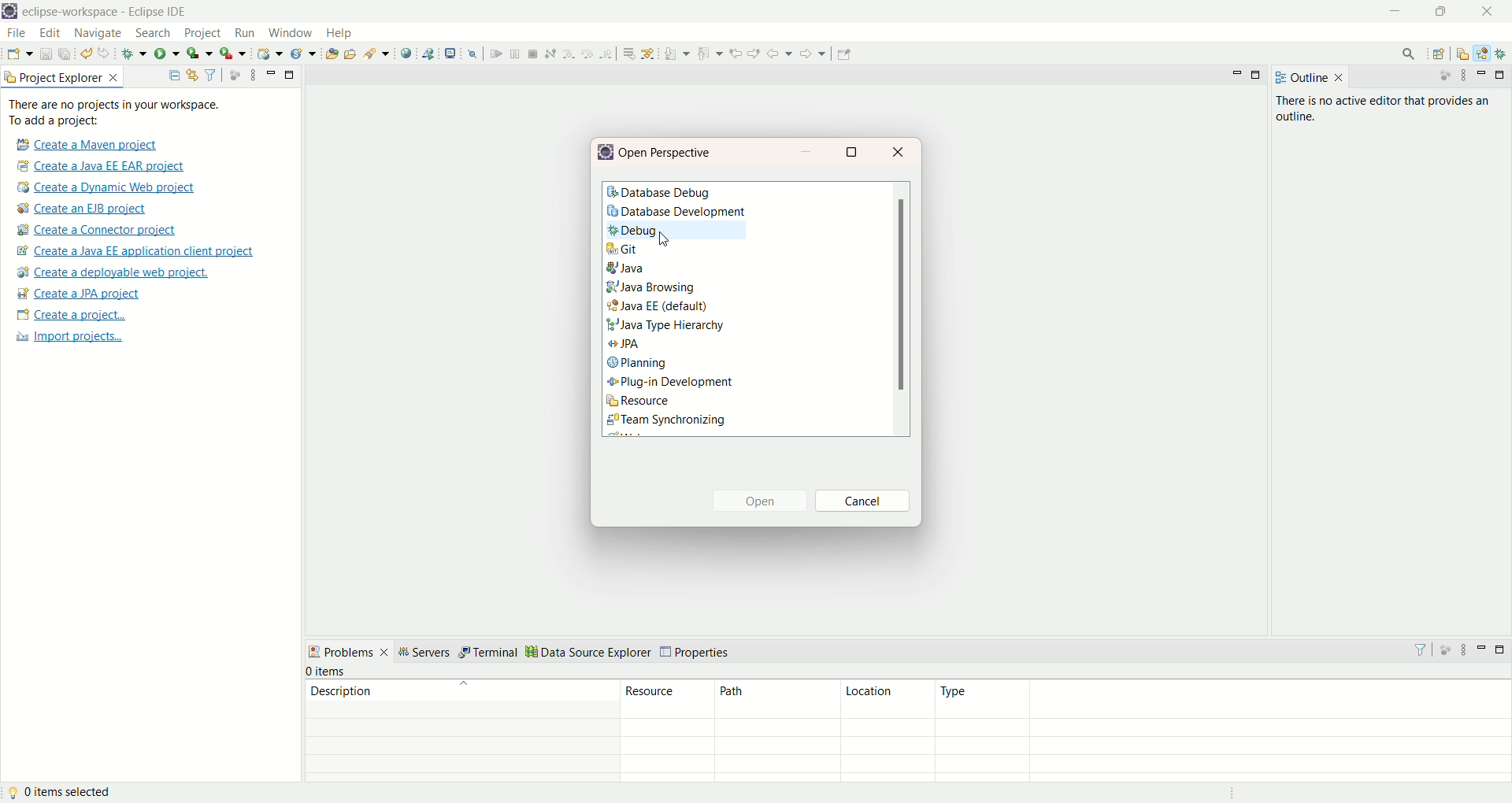 This screenshot has width=1512, height=803. What do you see at coordinates (169, 54) in the screenshot?
I see `run` at bounding box center [169, 54].